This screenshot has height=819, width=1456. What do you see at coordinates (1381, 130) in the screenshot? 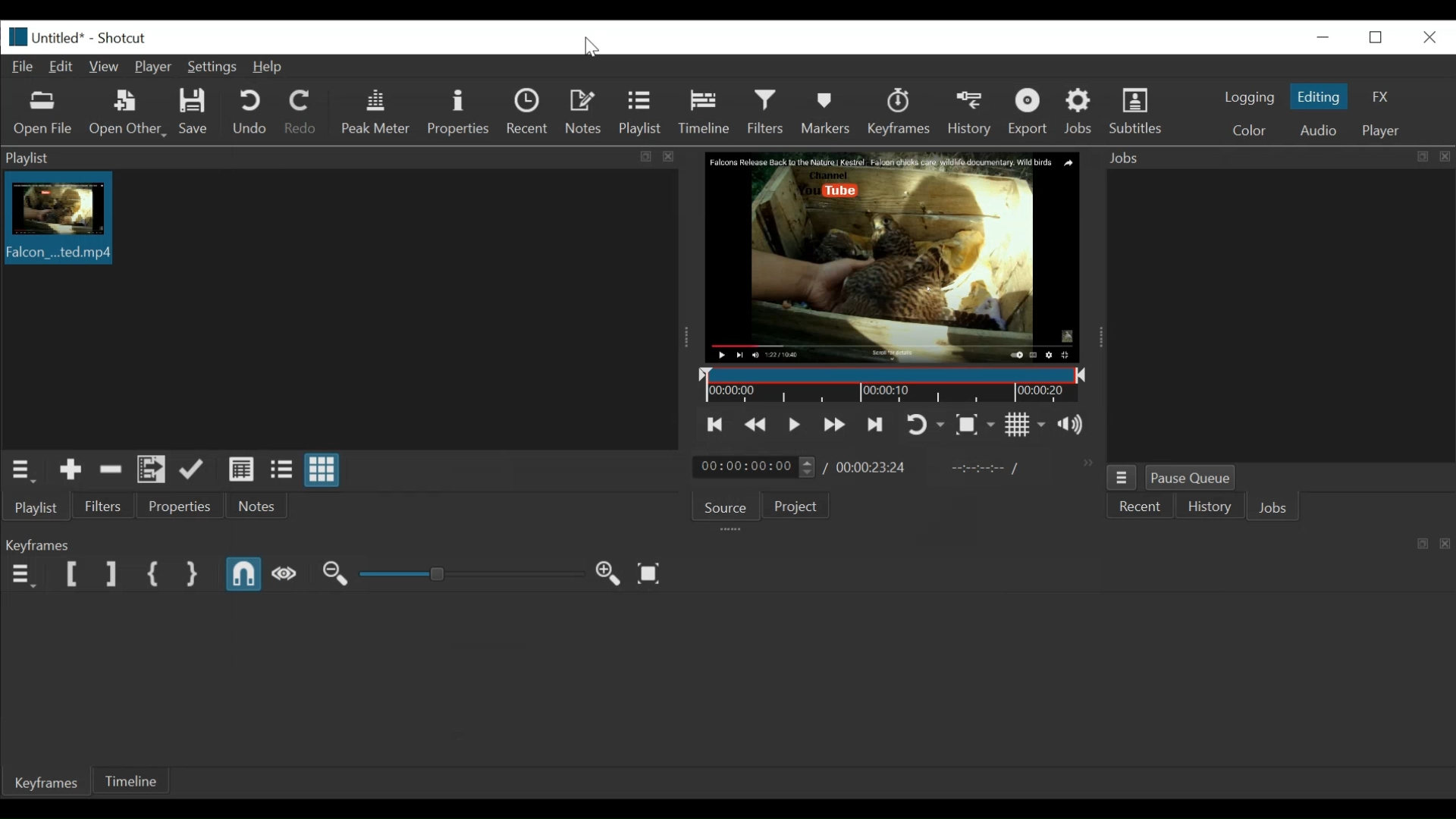
I see `Player` at bounding box center [1381, 130].